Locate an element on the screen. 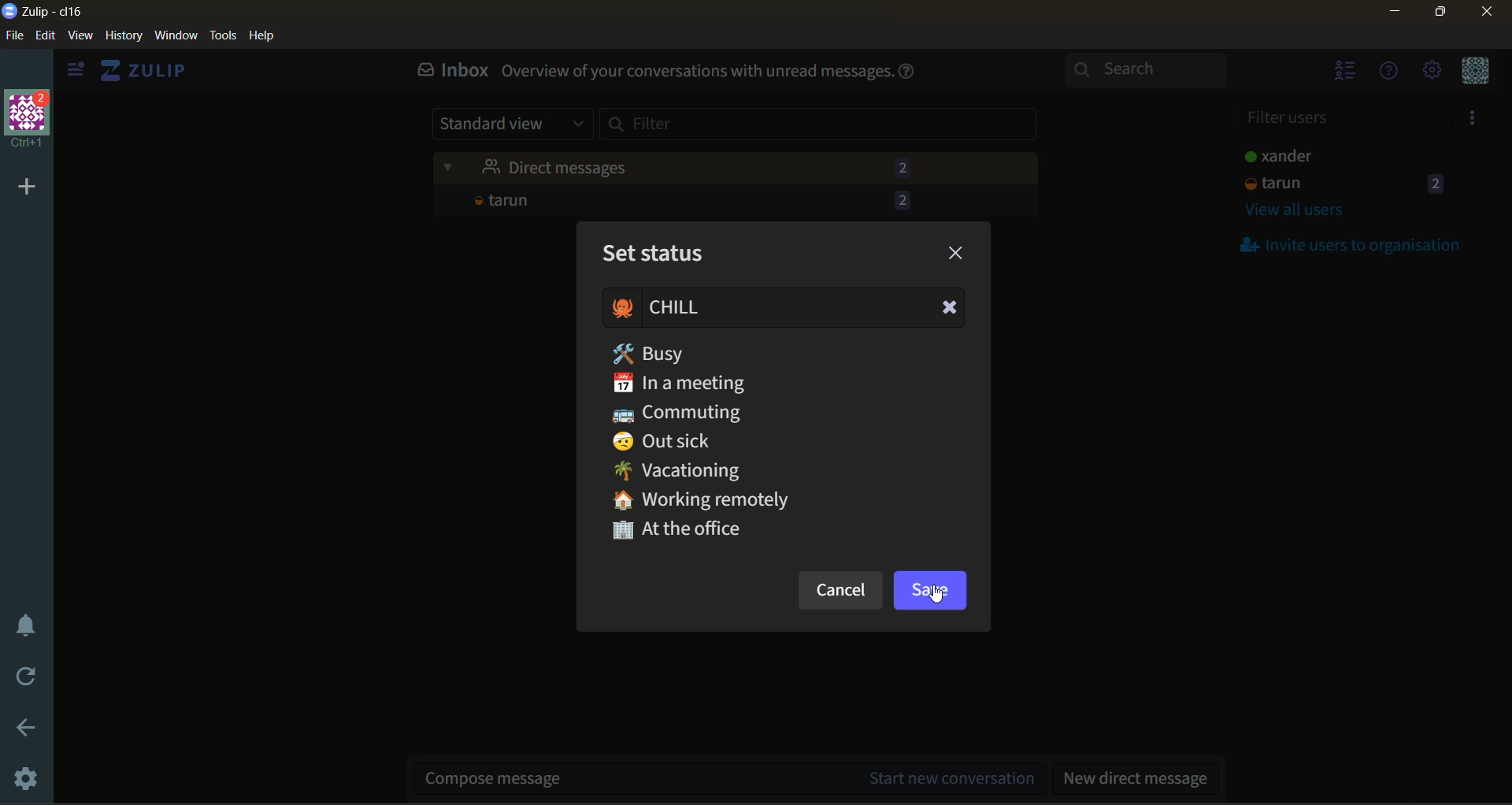 The image size is (1512, 805). edit is located at coordinates (50, 36).